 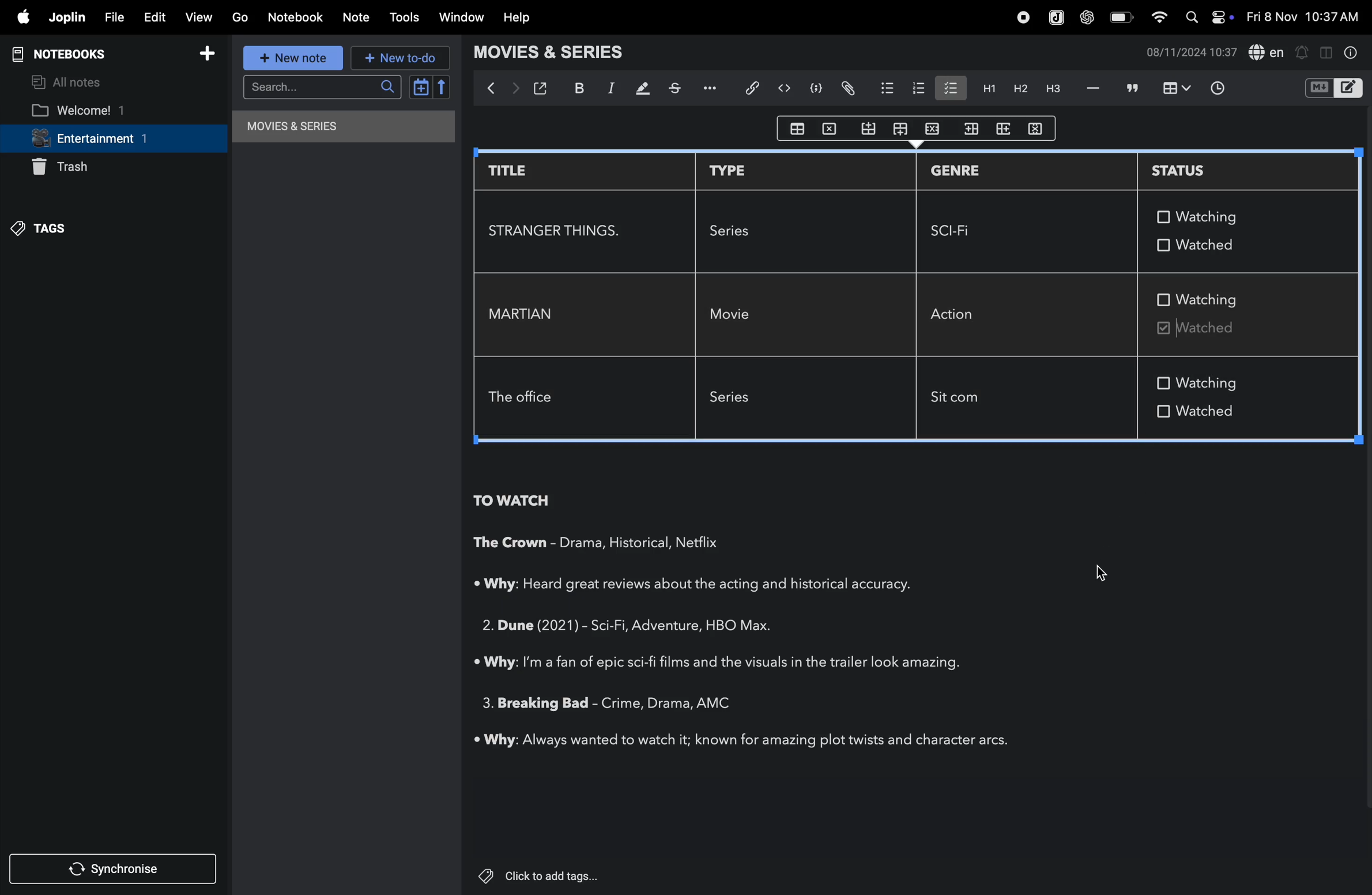 I want to click on series, so click(x=738, y=400).